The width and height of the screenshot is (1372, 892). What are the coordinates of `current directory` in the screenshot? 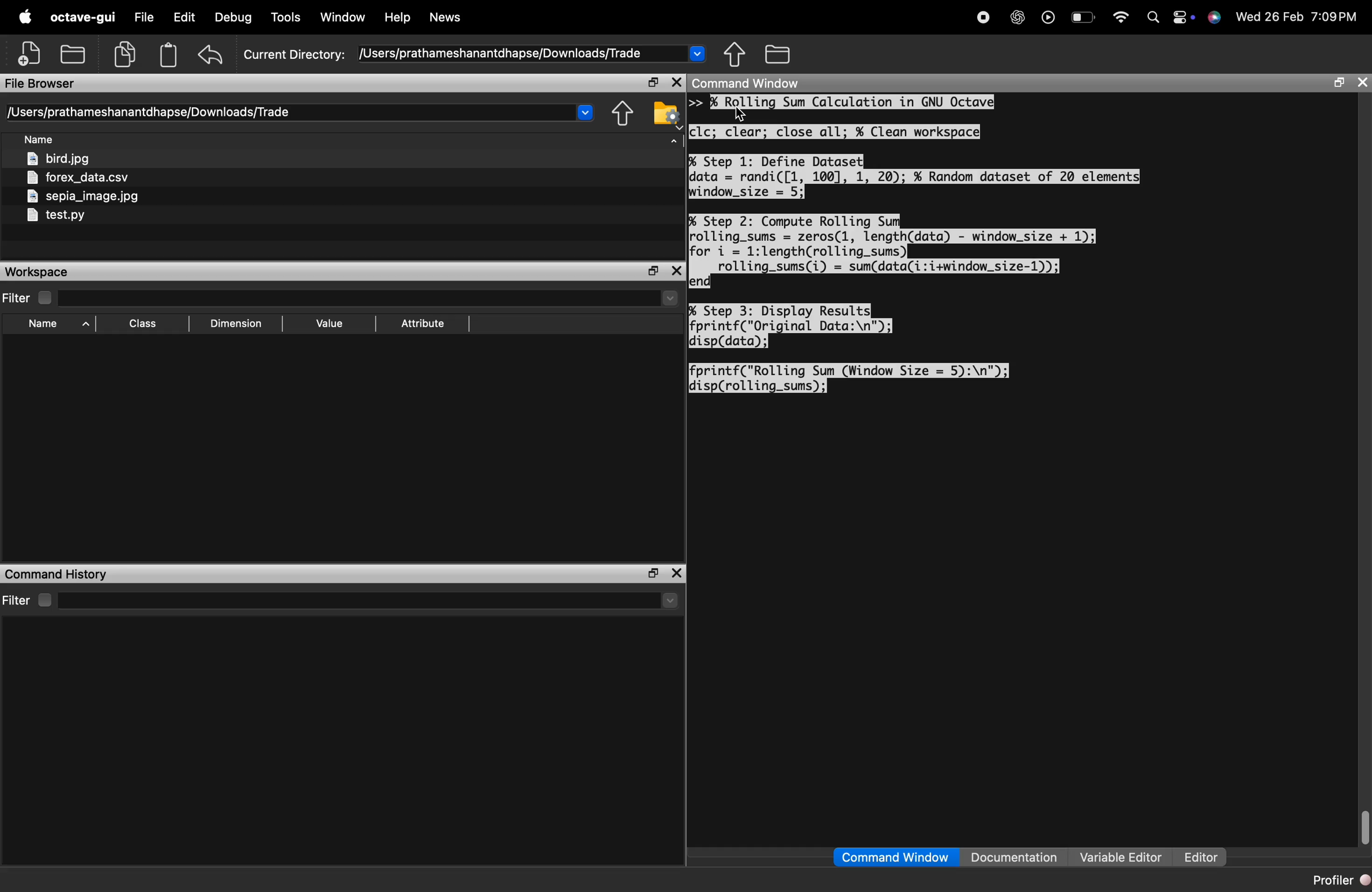 It's located at (301, 112).